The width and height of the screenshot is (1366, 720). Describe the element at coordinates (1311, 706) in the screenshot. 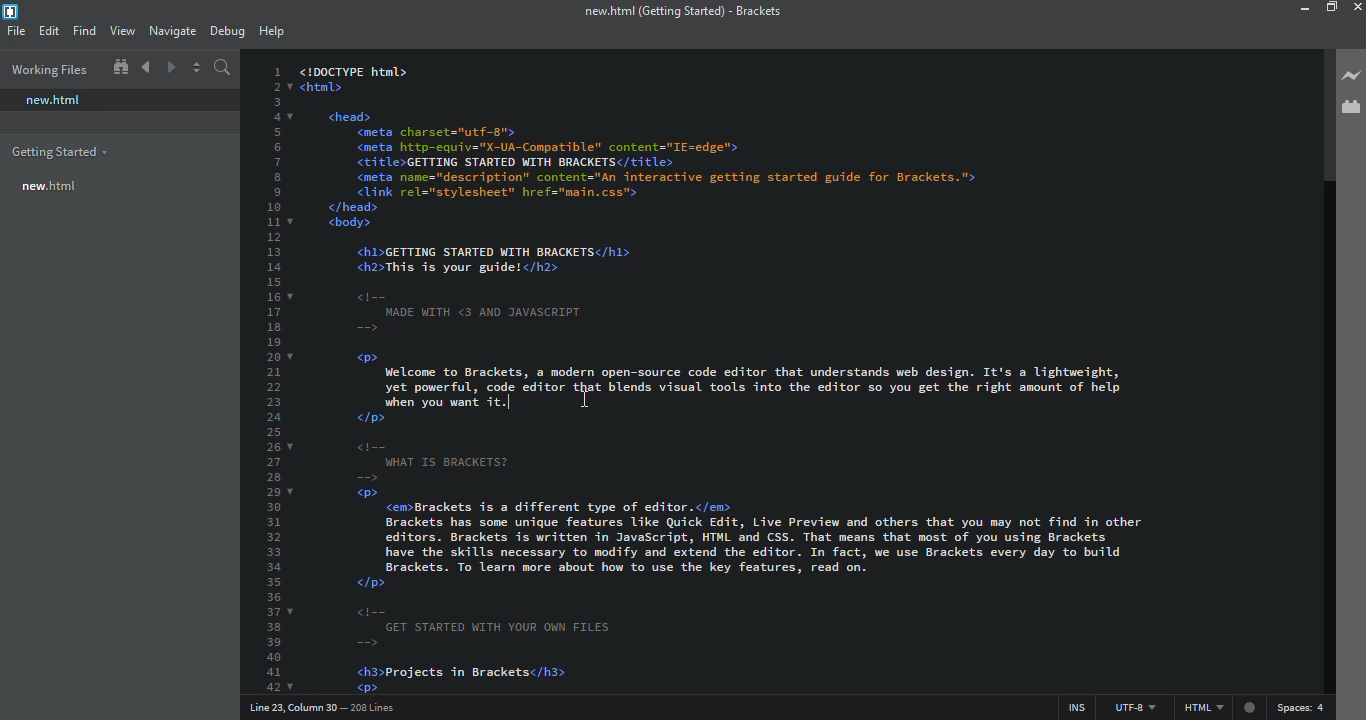

I see `spaces` at that location.